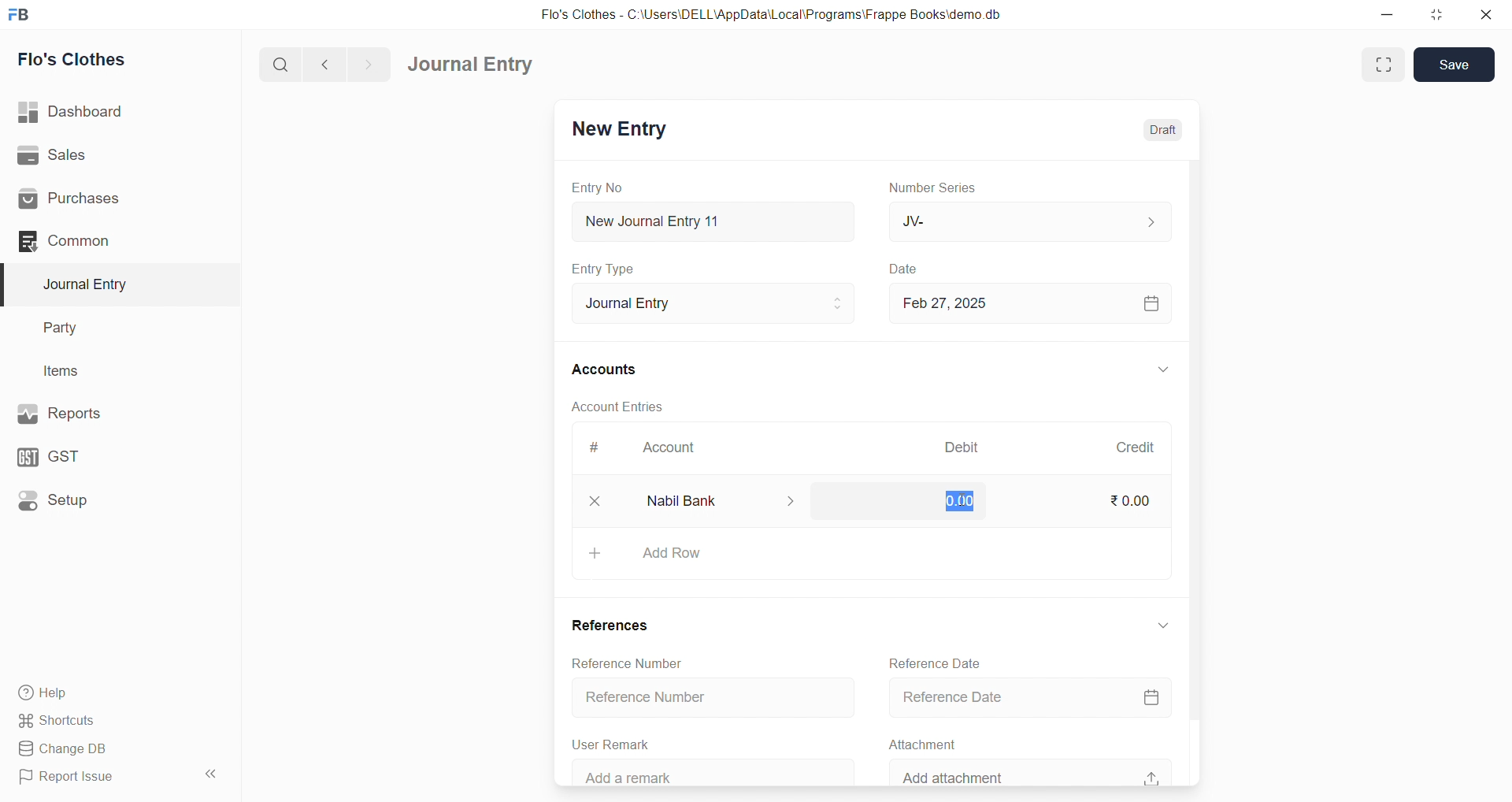 This screenshot has height=802, width=1512. I want to click on Credit, so click(1137, 448).